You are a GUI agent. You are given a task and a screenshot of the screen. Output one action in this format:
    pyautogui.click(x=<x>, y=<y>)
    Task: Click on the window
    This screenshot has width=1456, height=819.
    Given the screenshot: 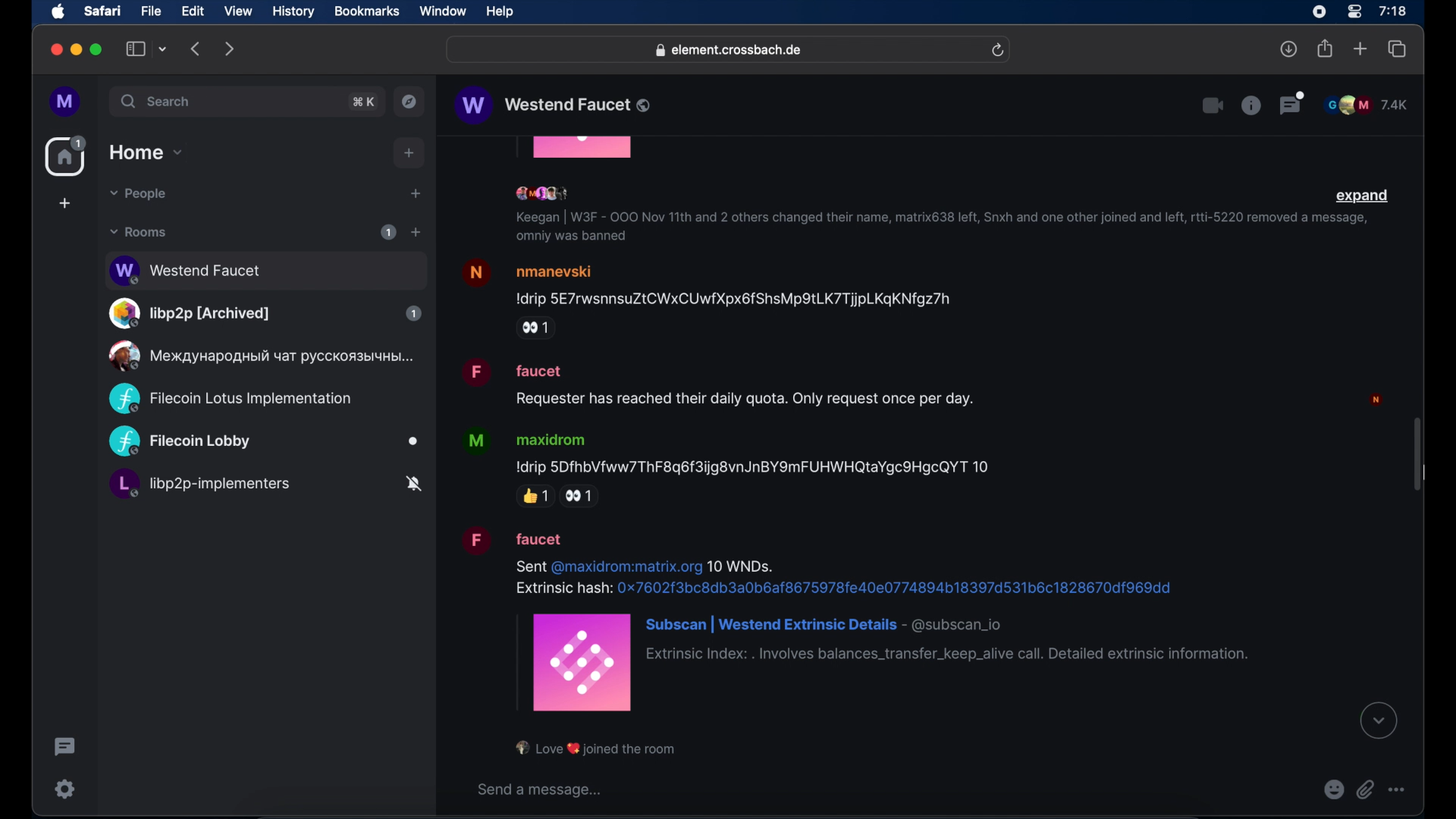 What is the action you would take?
    pyautogui.click(x=443, y=11)
    